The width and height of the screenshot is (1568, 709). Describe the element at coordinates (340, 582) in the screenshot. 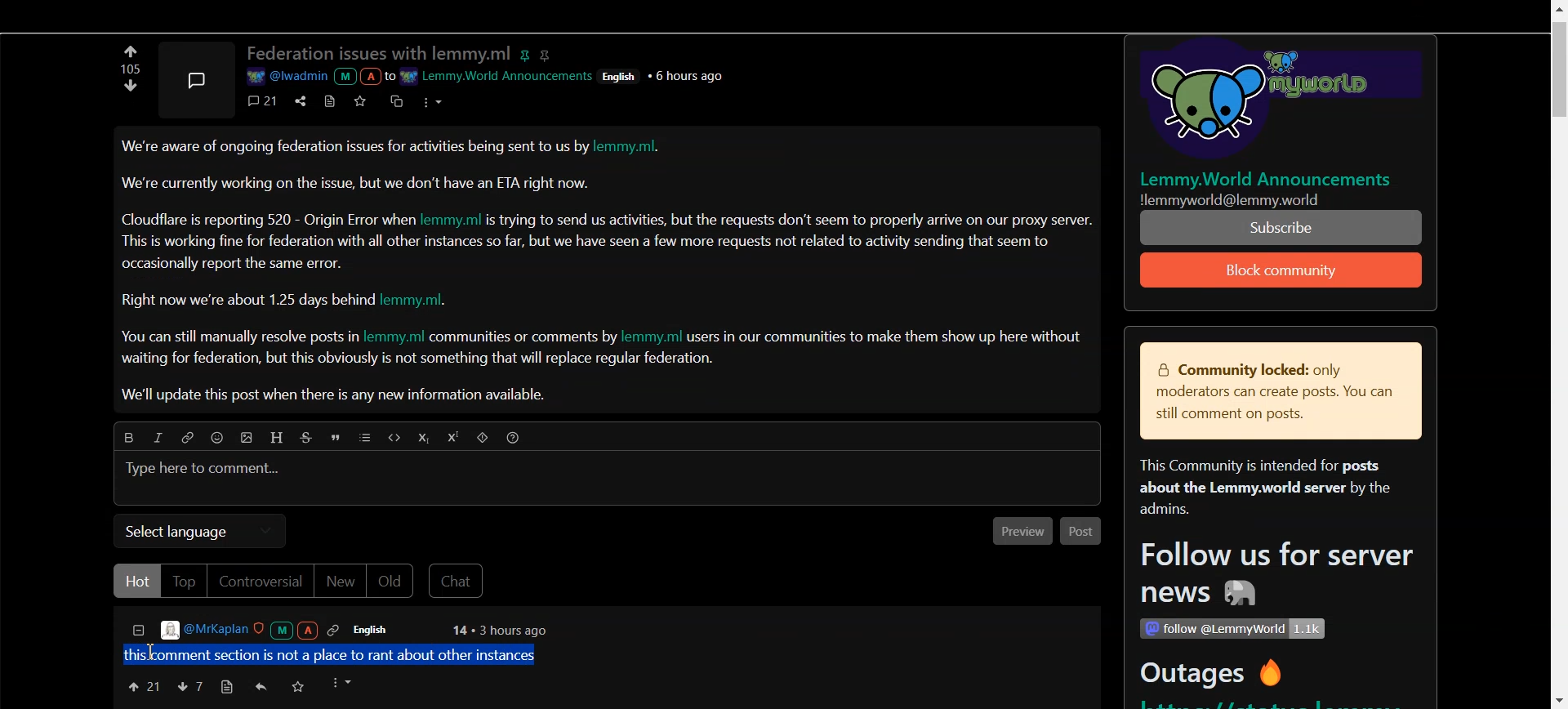

I see `New` at that location.